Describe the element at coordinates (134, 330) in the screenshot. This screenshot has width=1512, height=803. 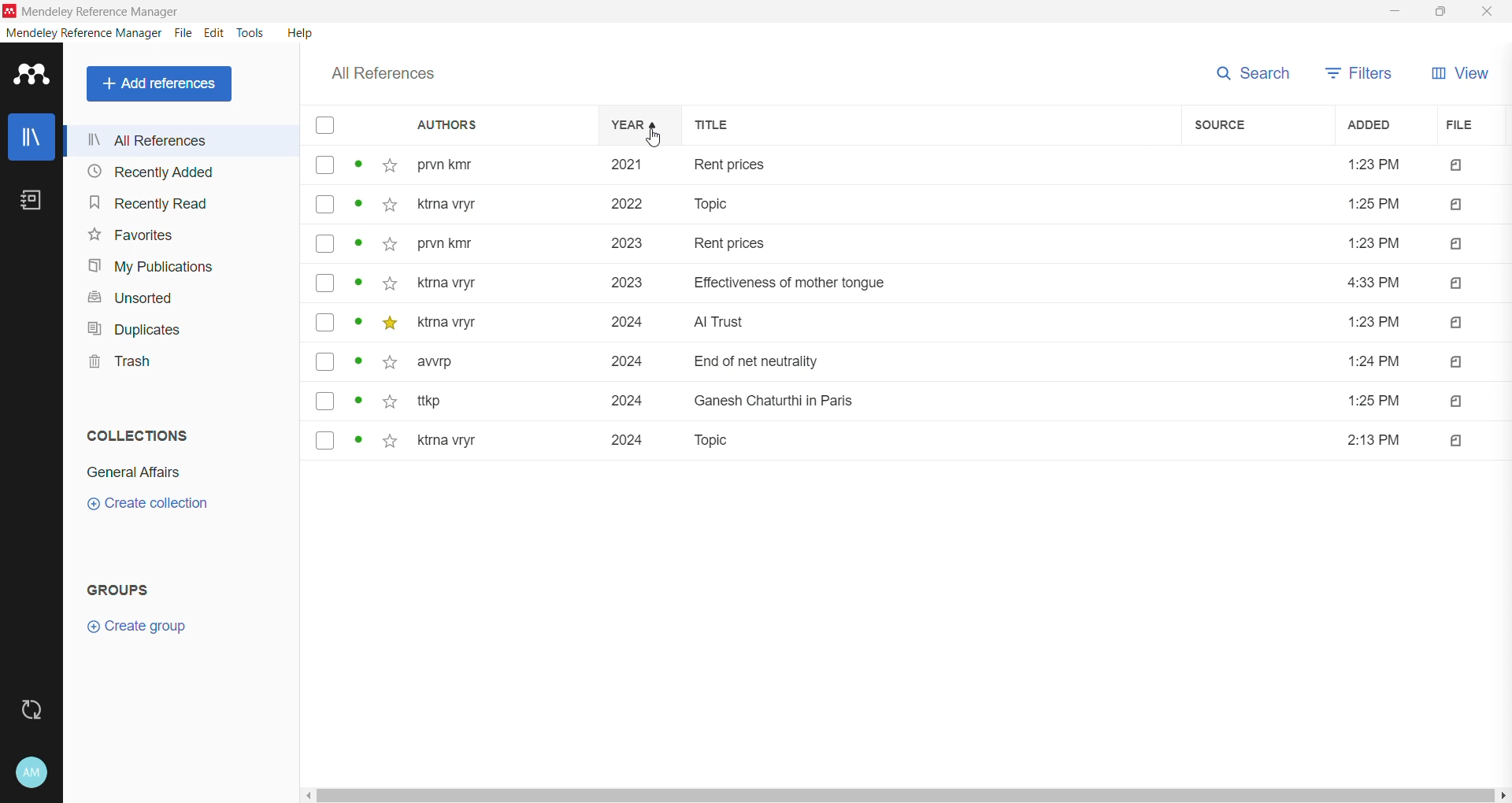
I see `Duplicates` at that location.